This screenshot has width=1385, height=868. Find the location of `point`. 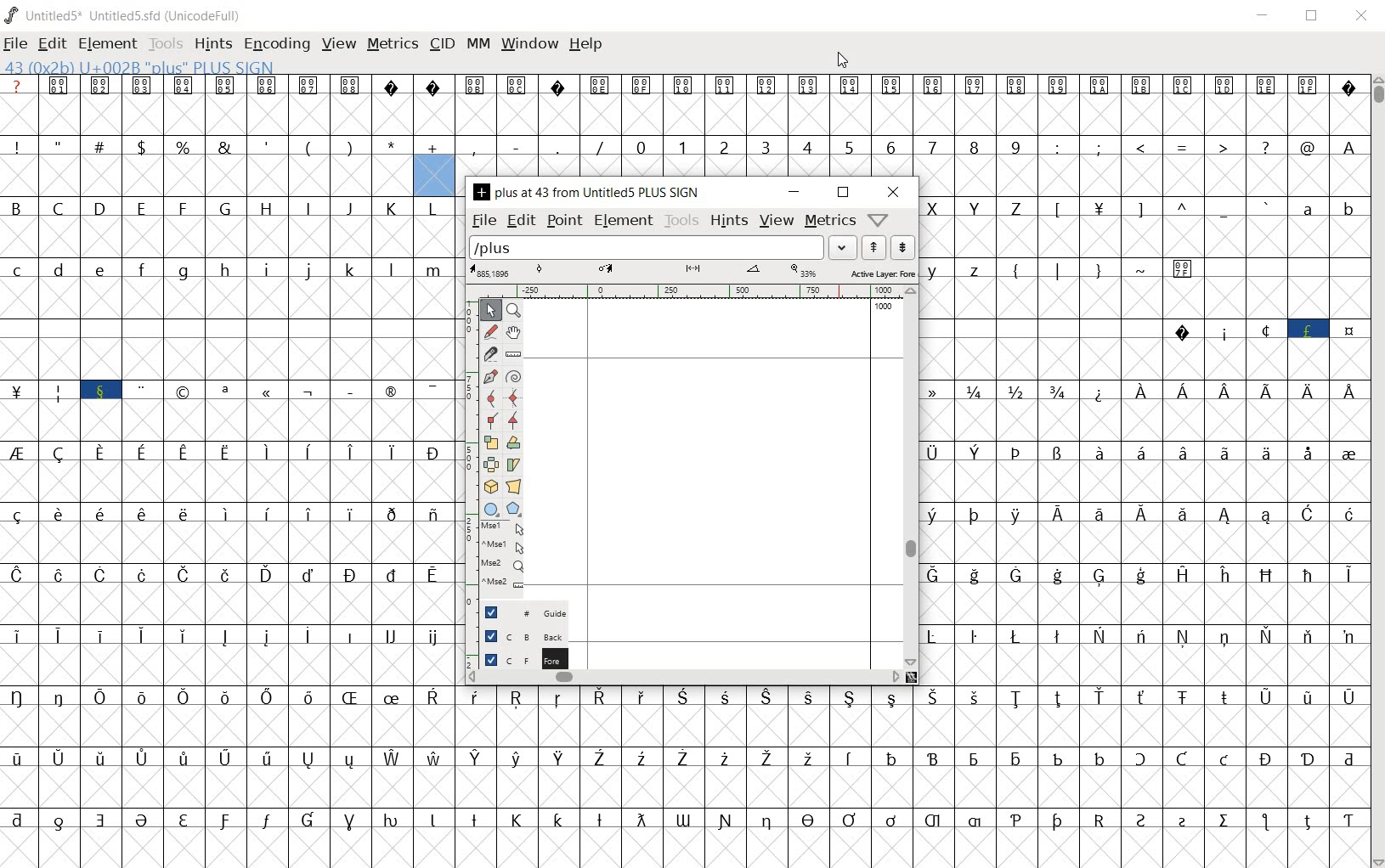

point is located at coordinates (562, 220).